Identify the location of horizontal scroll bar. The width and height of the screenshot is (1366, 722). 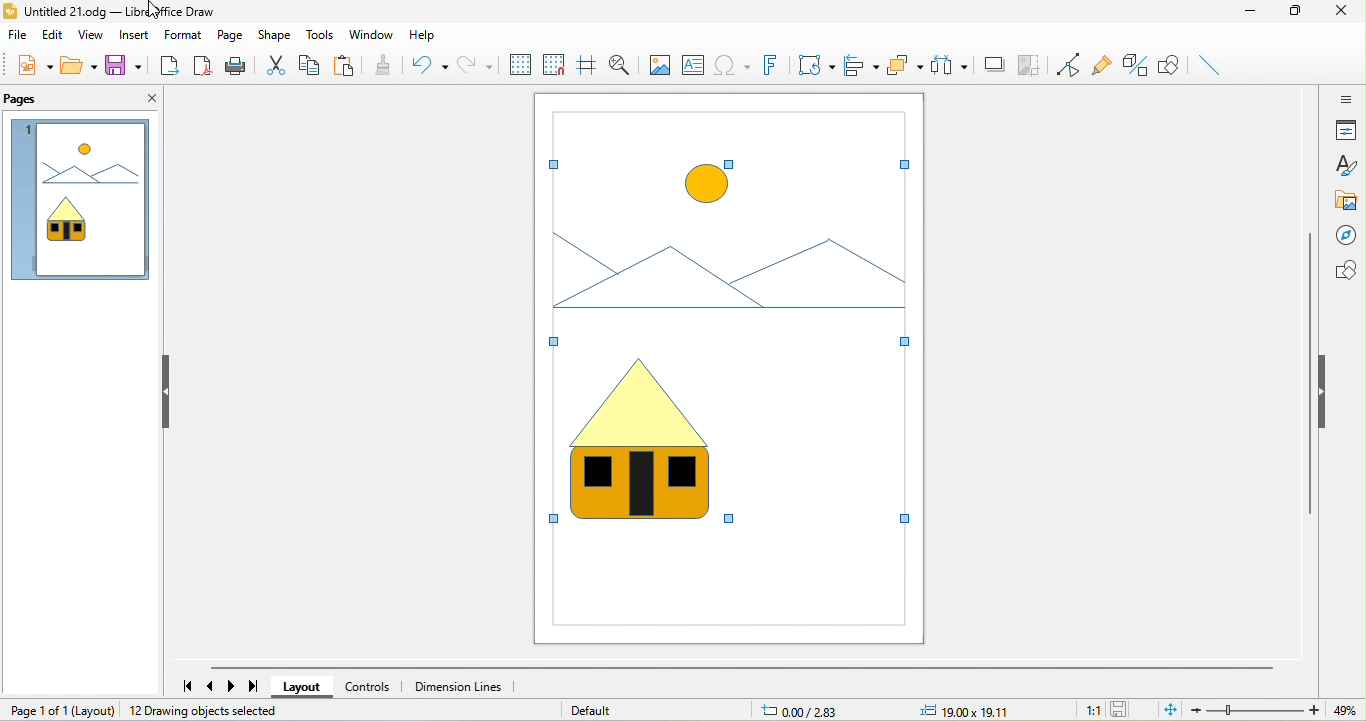
(740, 668).